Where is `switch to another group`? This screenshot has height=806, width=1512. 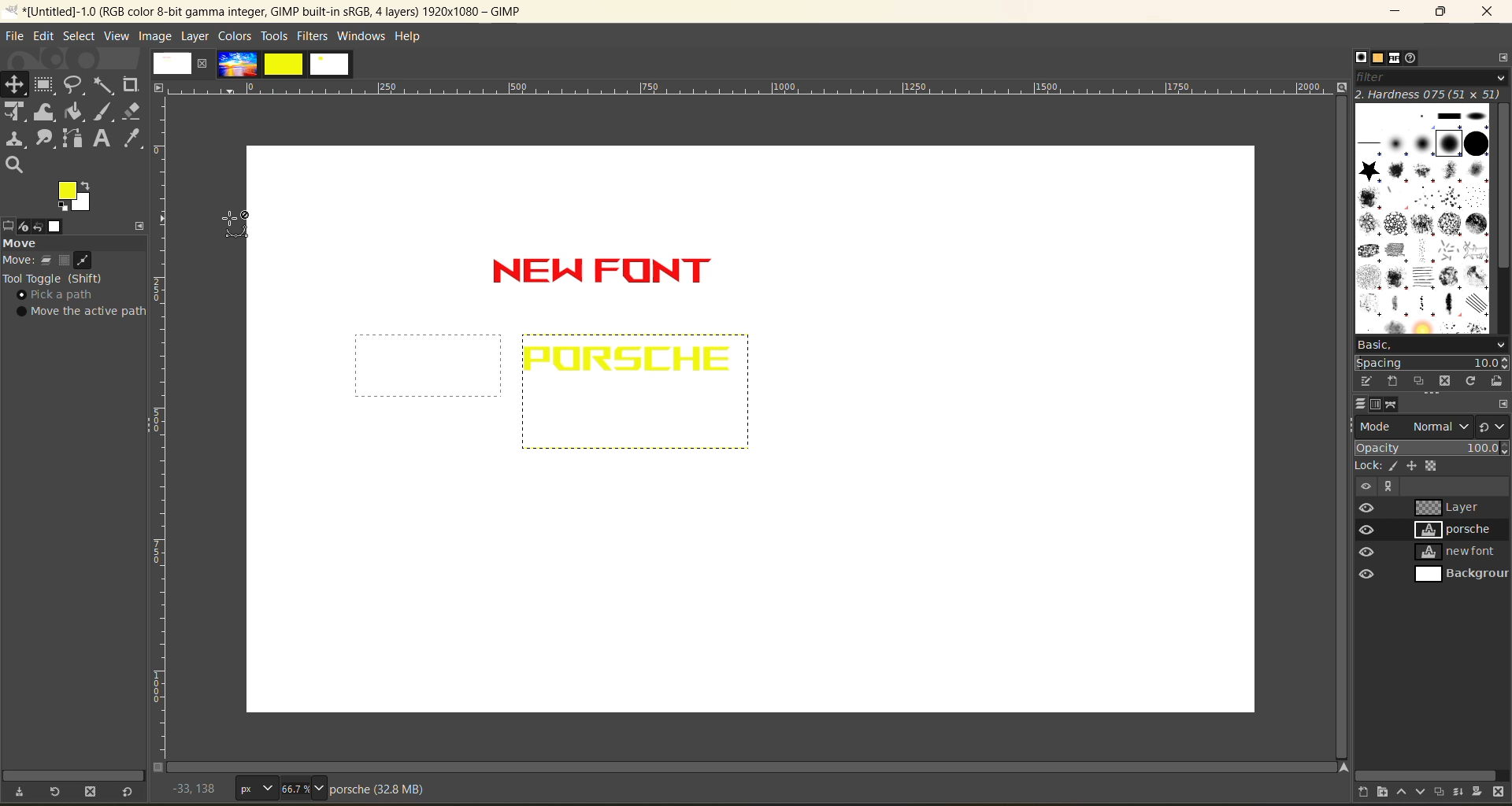 switch to another group is located at coordinates (1492, 428).